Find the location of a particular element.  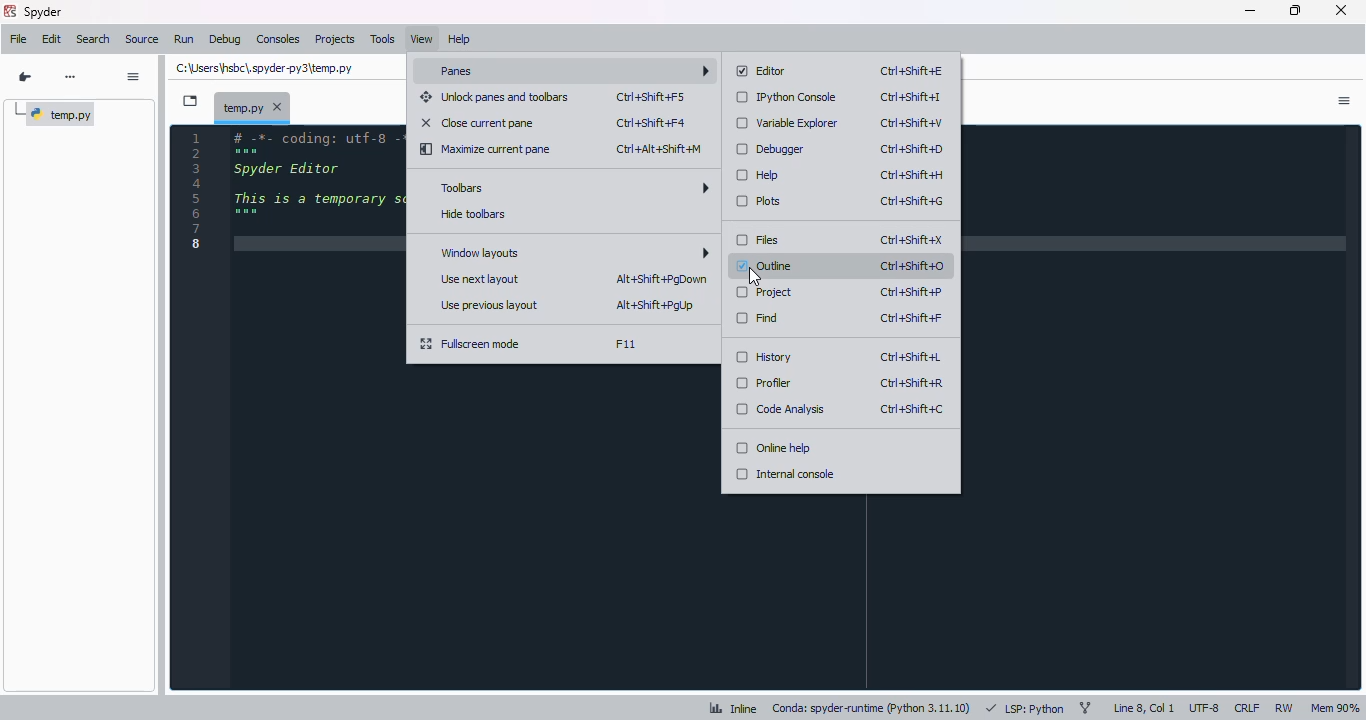

online help is located at coordinates (773, 447).